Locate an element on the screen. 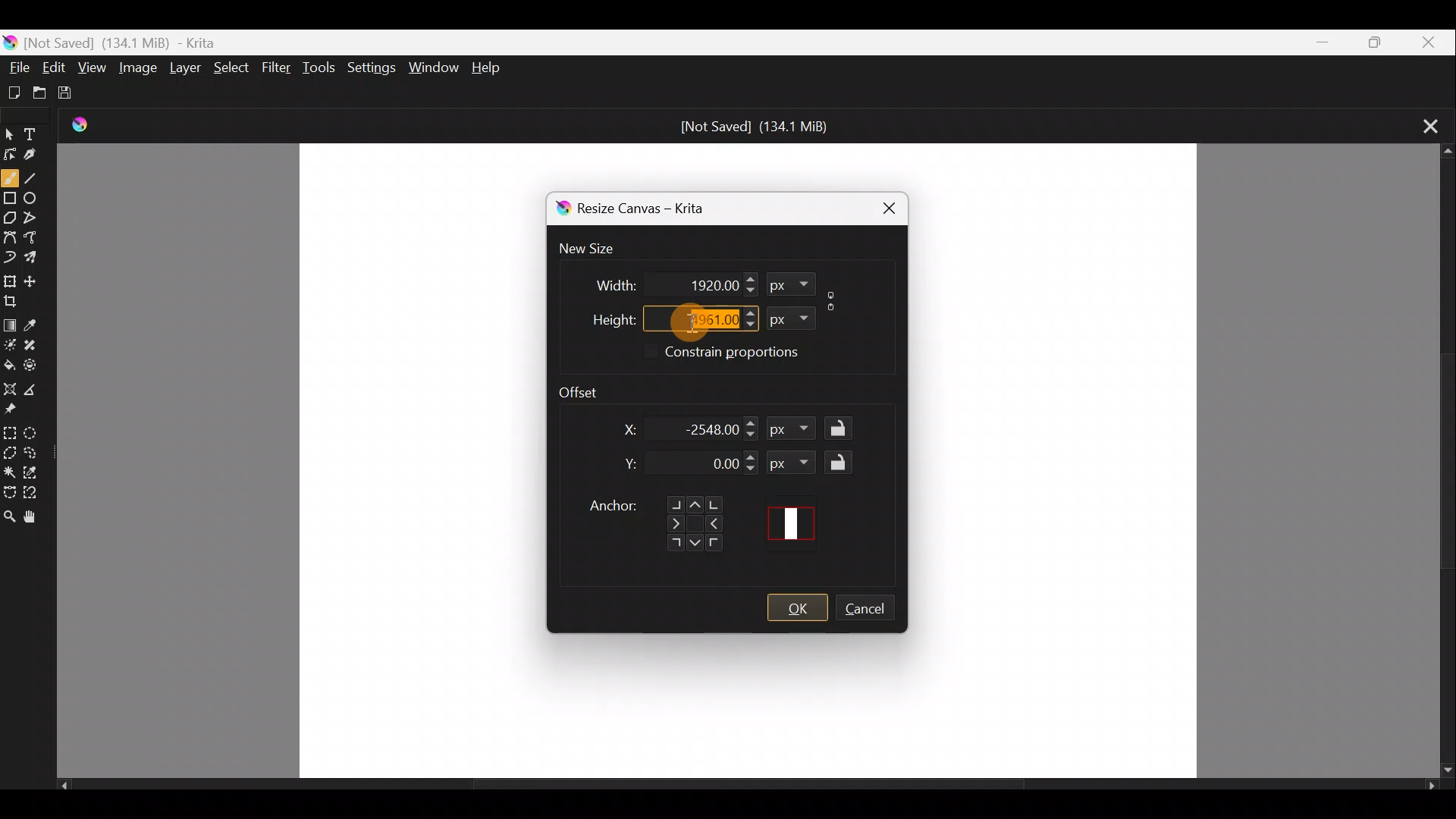 This screenshot has width=1456, height=819. Zoom tool is located at coordinates (9, 517).